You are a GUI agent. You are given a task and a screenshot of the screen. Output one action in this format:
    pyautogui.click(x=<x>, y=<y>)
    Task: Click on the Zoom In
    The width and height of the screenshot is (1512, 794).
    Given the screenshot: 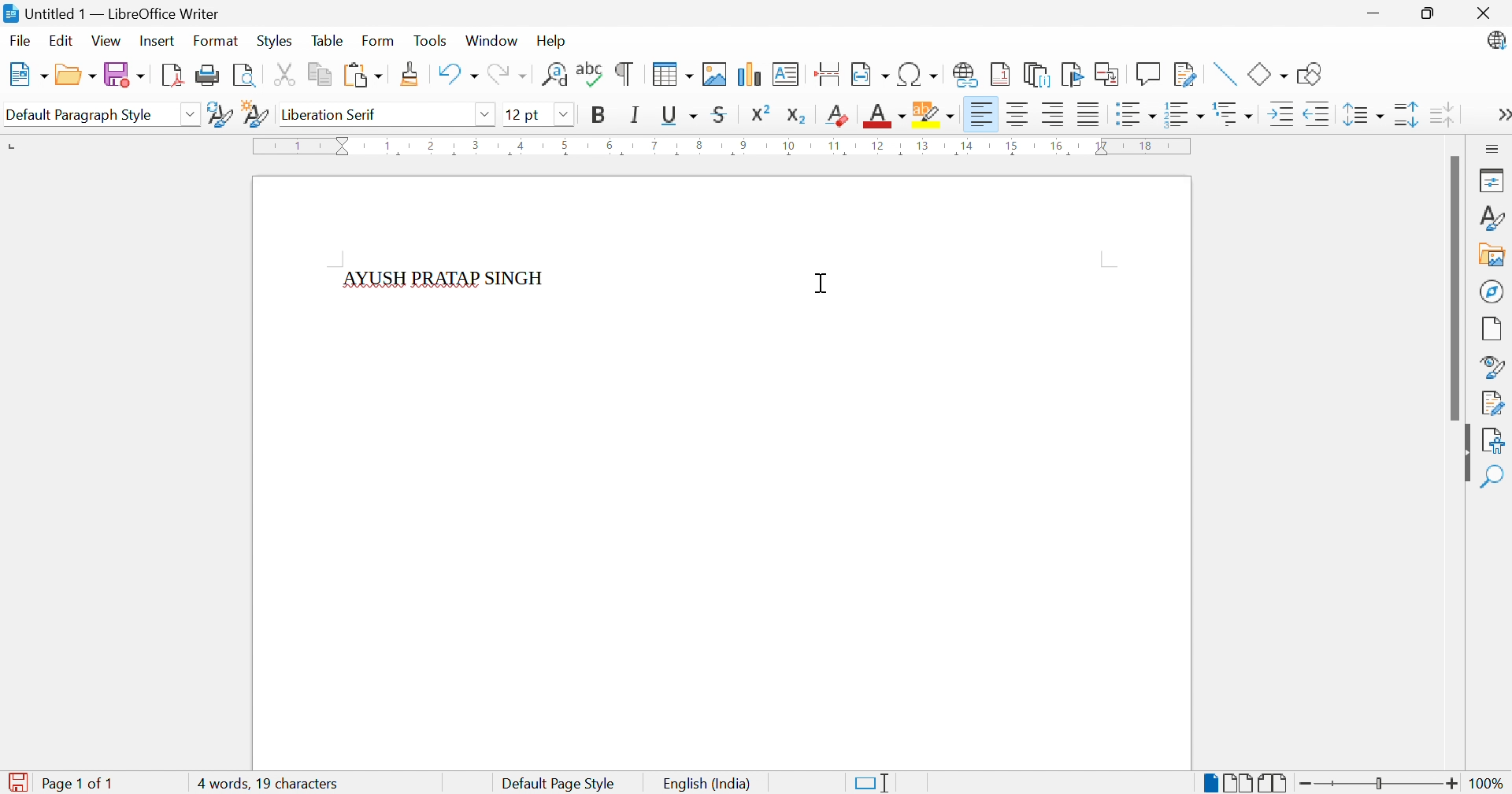 What is the action you would take?
    pyautogui.click(x=1452, y=782)
    